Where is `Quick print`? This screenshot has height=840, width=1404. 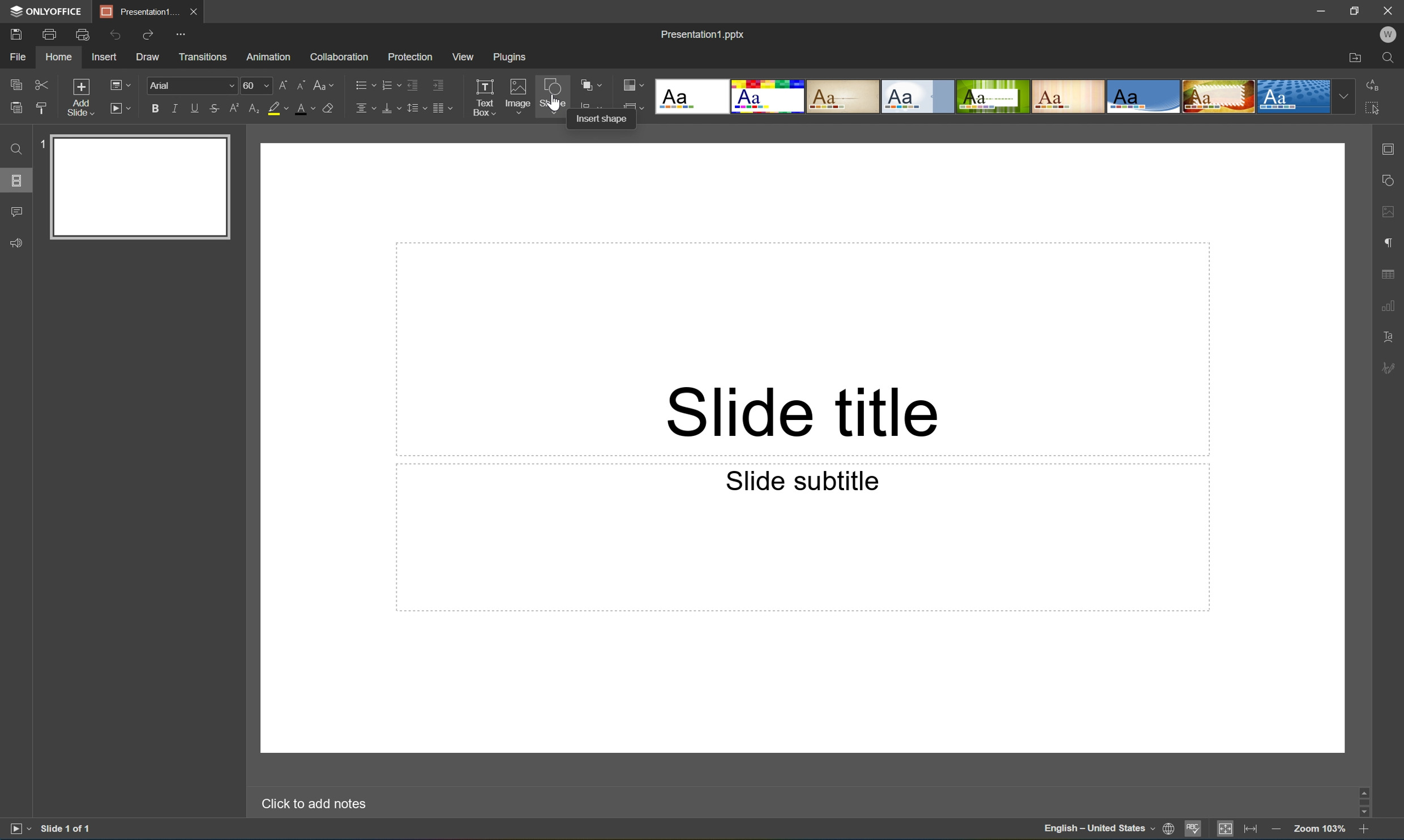 Quick print is located at coordinates (83, 34).